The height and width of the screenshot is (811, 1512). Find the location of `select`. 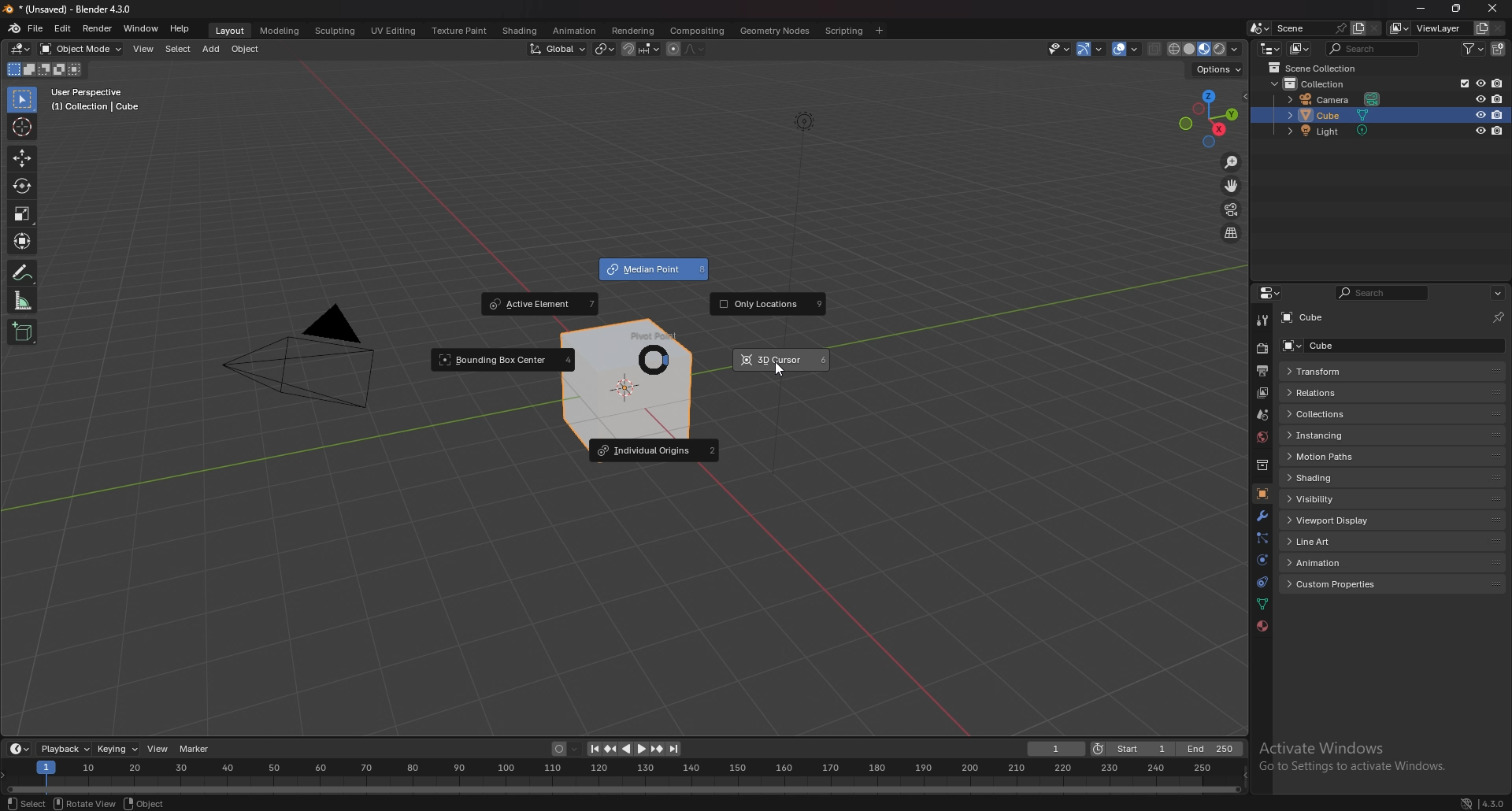

select is located at coordinates (178, 49).